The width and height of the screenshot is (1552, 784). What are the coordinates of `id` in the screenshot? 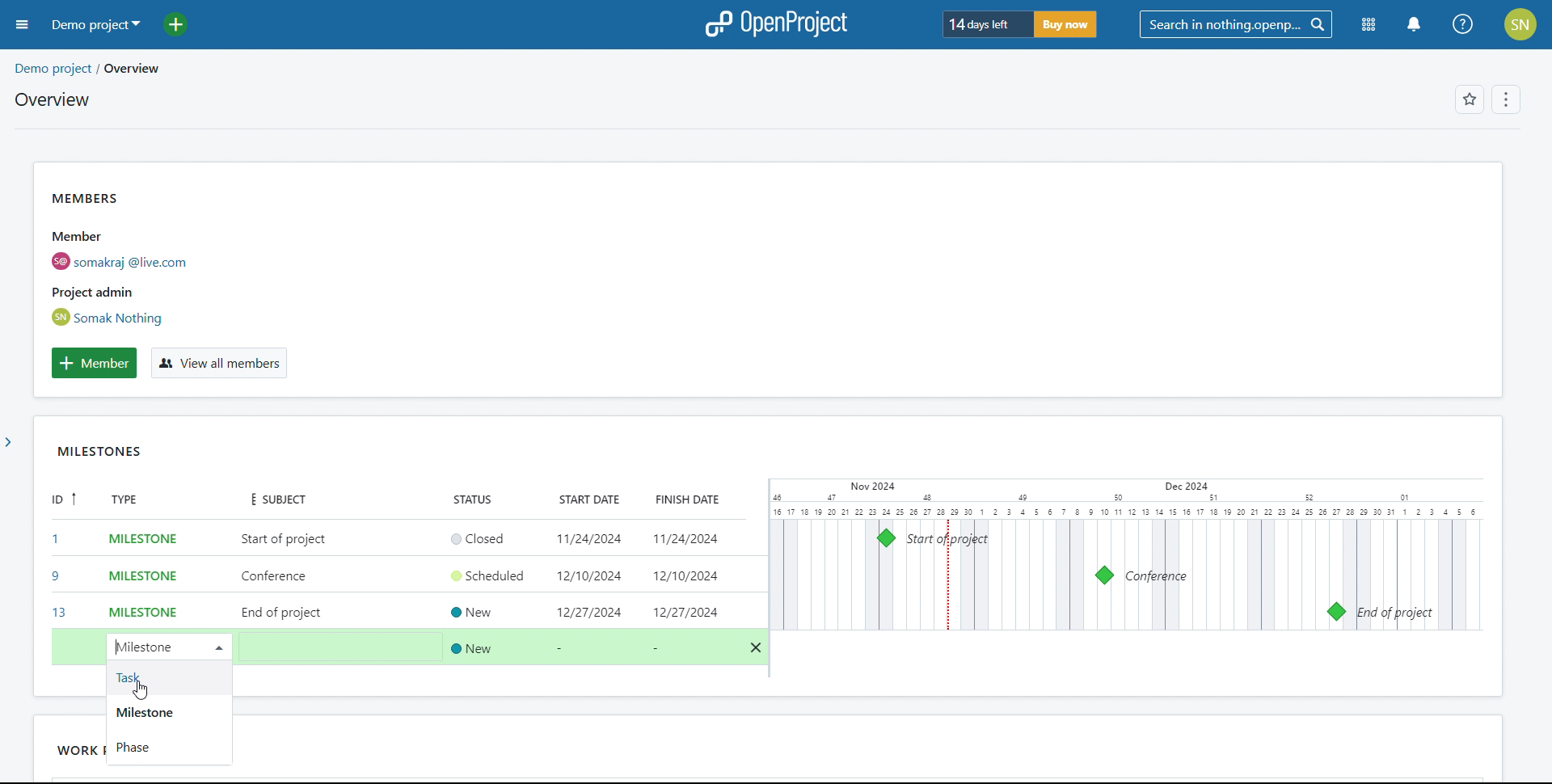 It's located at (58, 558).